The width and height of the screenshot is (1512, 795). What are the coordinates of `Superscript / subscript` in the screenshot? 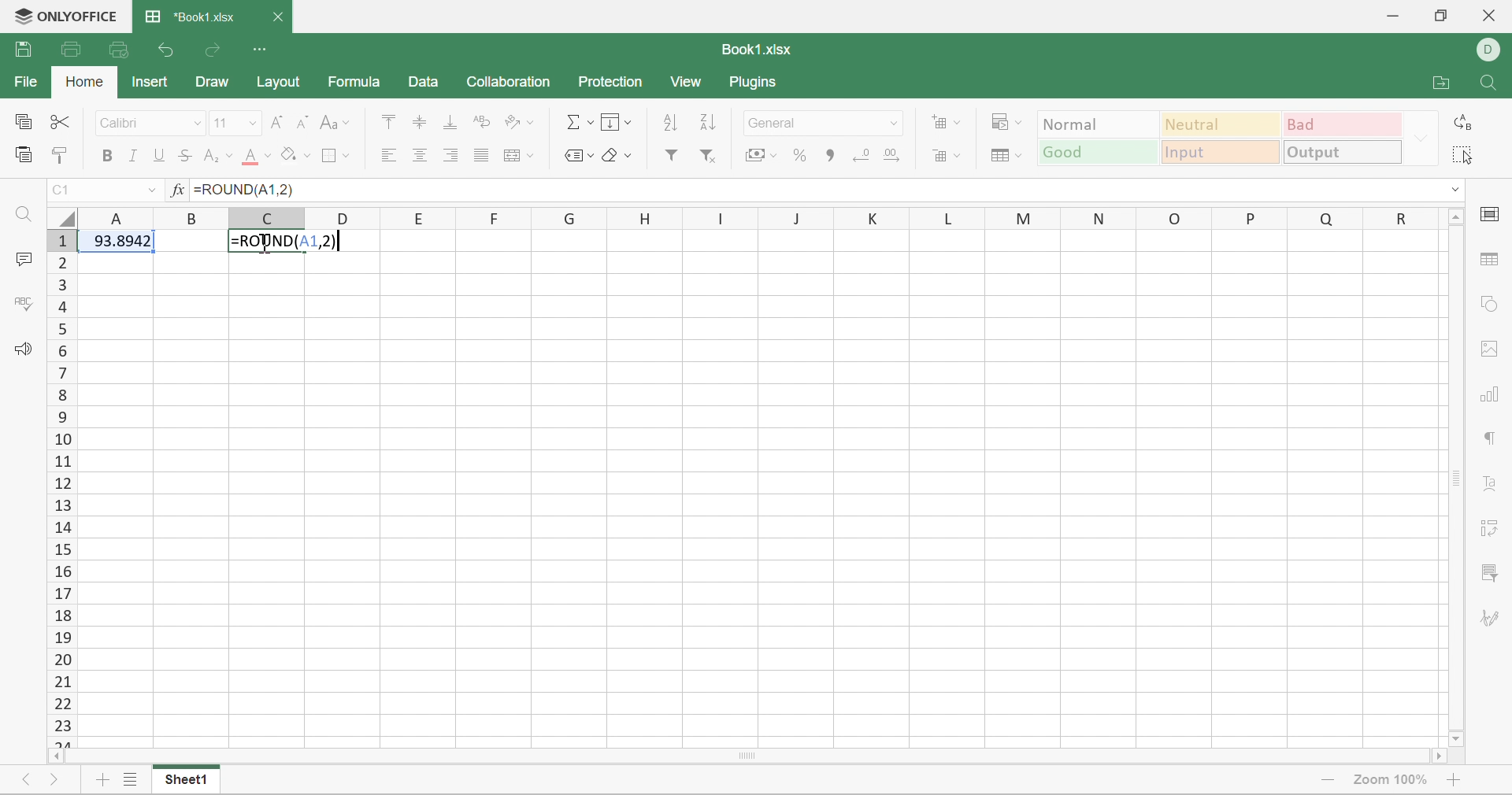 It's located at (220, 155).